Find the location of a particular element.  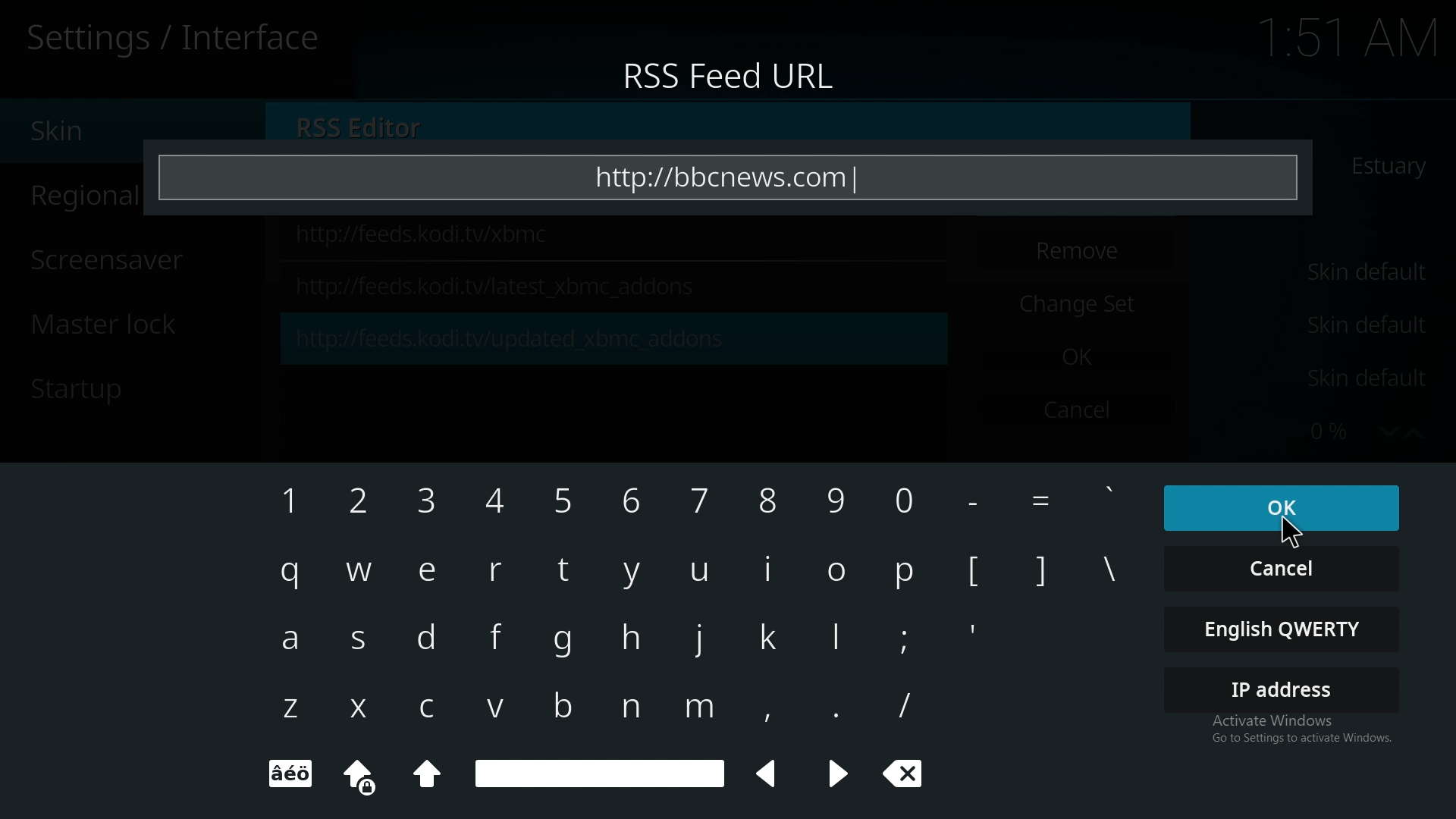

[ is located at coordinates (976, 573).